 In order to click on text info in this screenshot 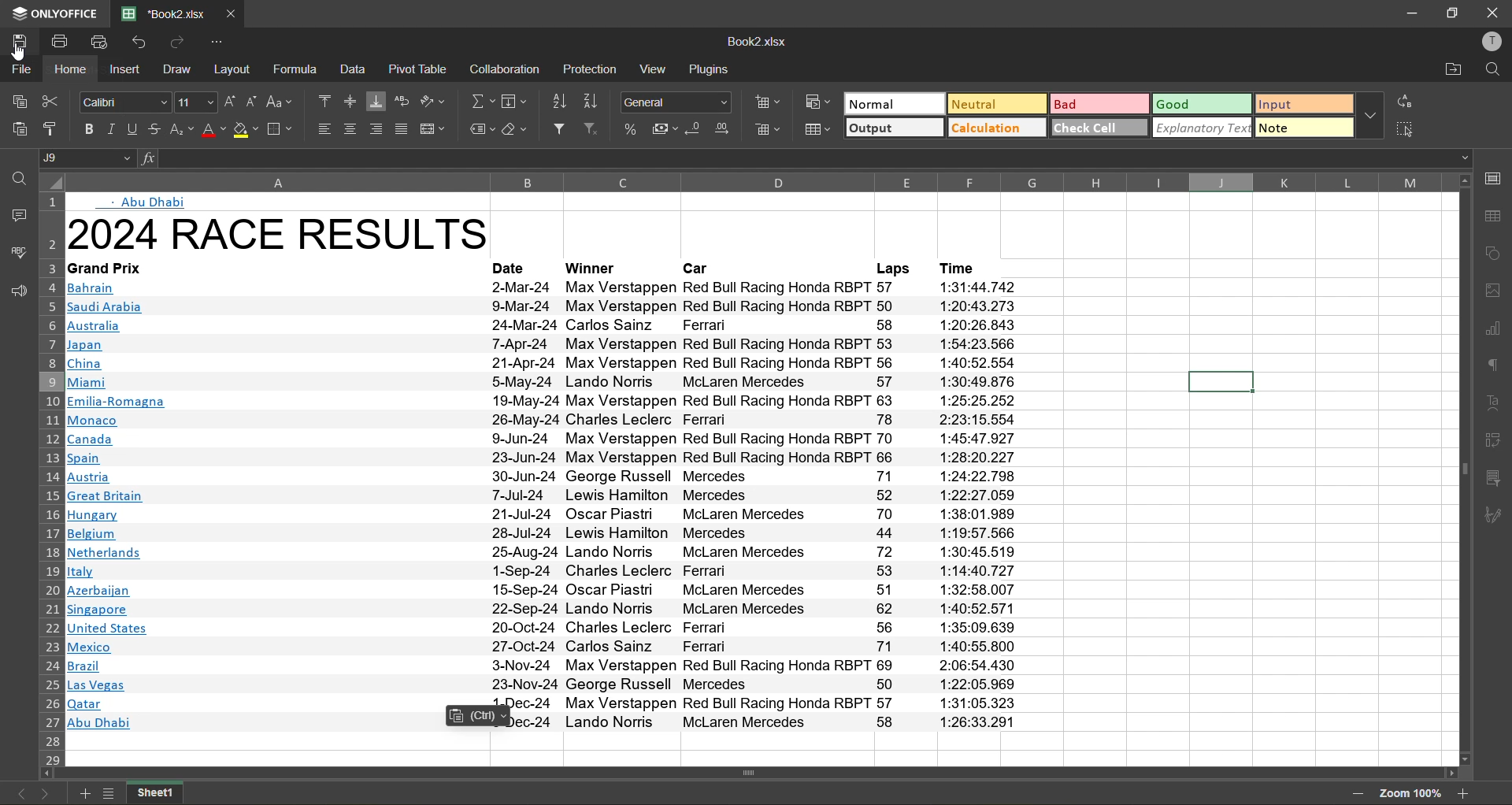, I will do `click(552, 287)`.